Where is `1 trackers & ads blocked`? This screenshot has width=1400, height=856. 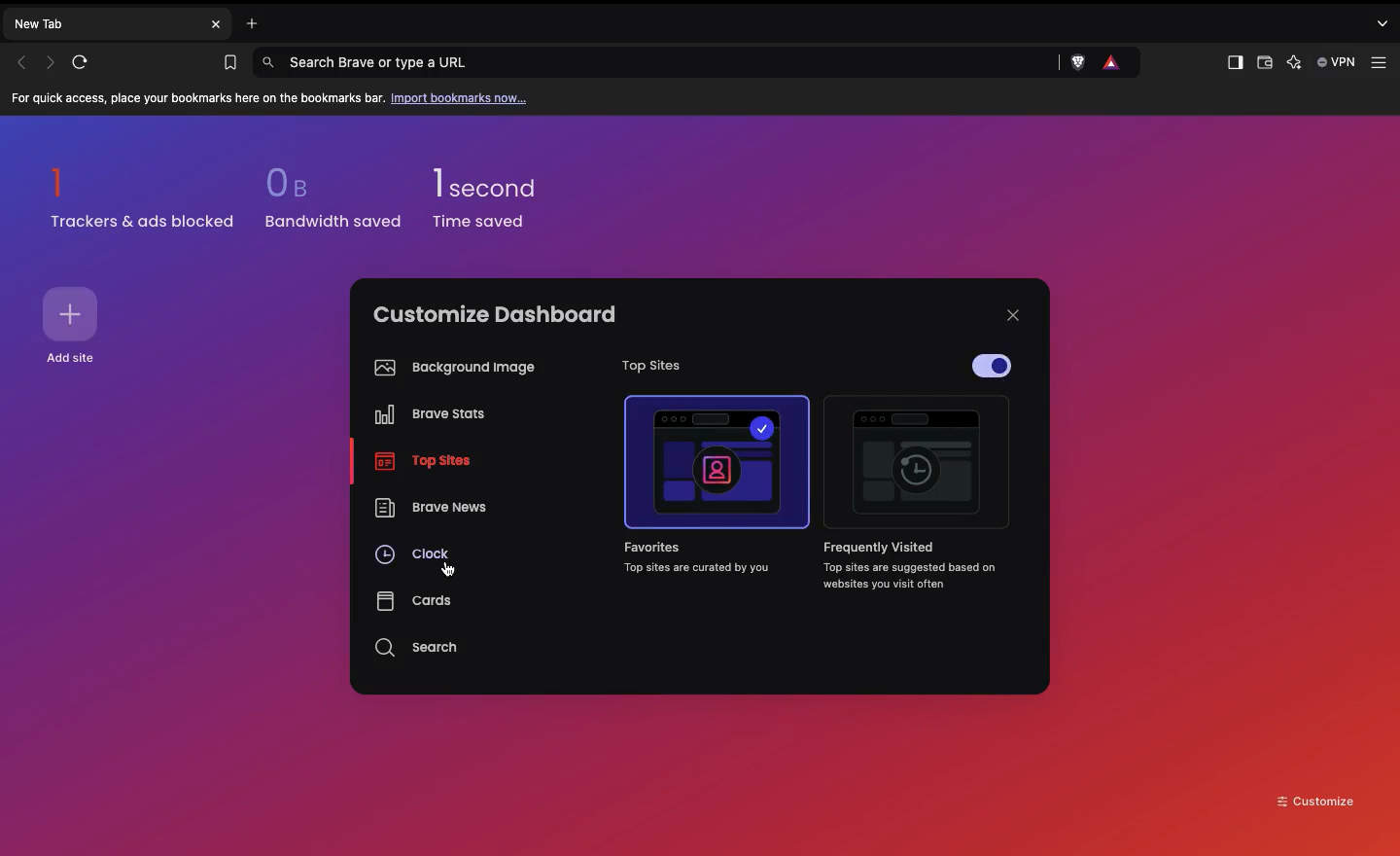 1 trackers & ads blocked is located at coordinates (143, 197).